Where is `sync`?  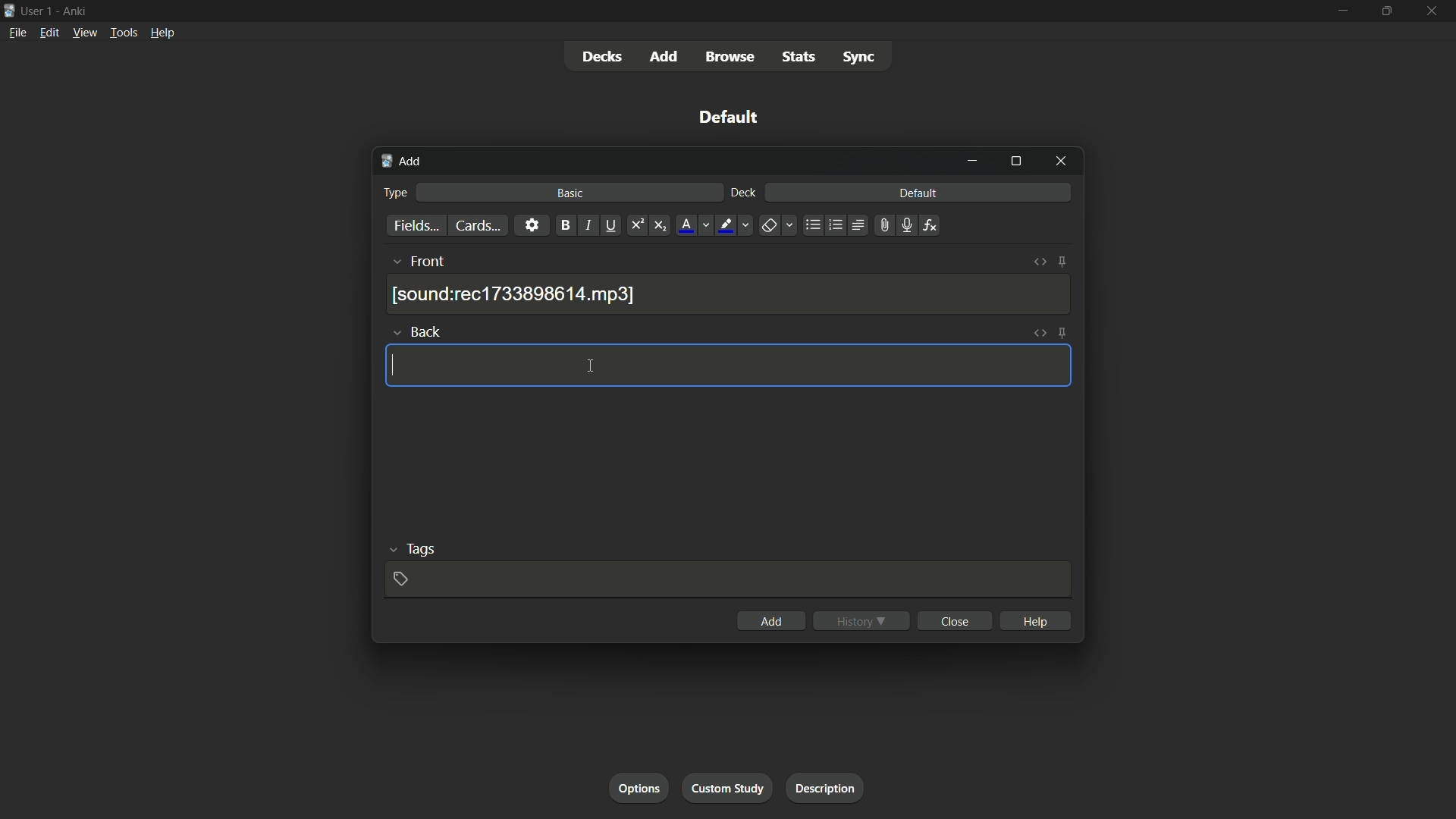
sync is located at coordinates (858, 59).